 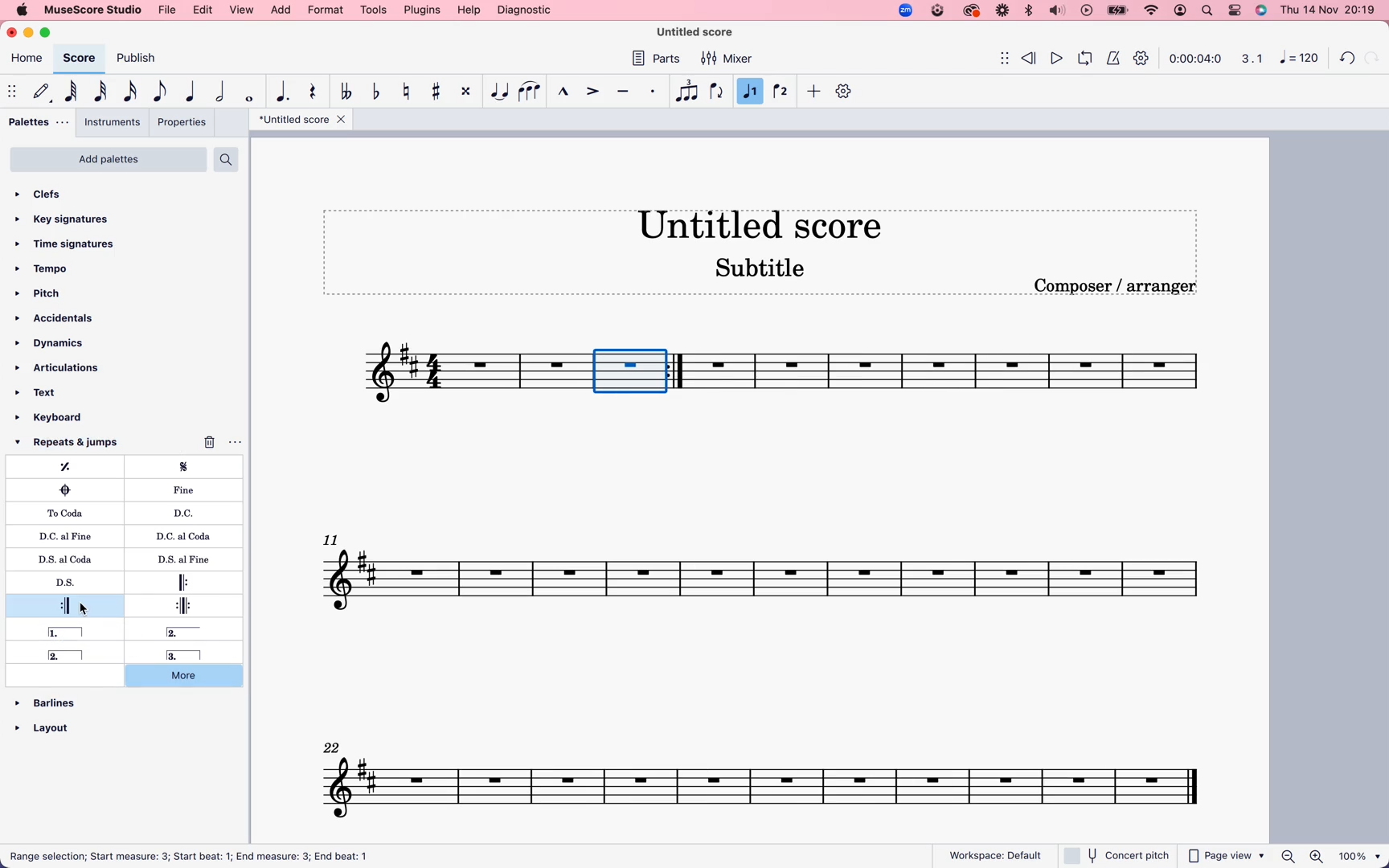 What do you see at coordinates (72, 655) in the screenshot?
I see `seconda volta` at bounding box center [72, 655].